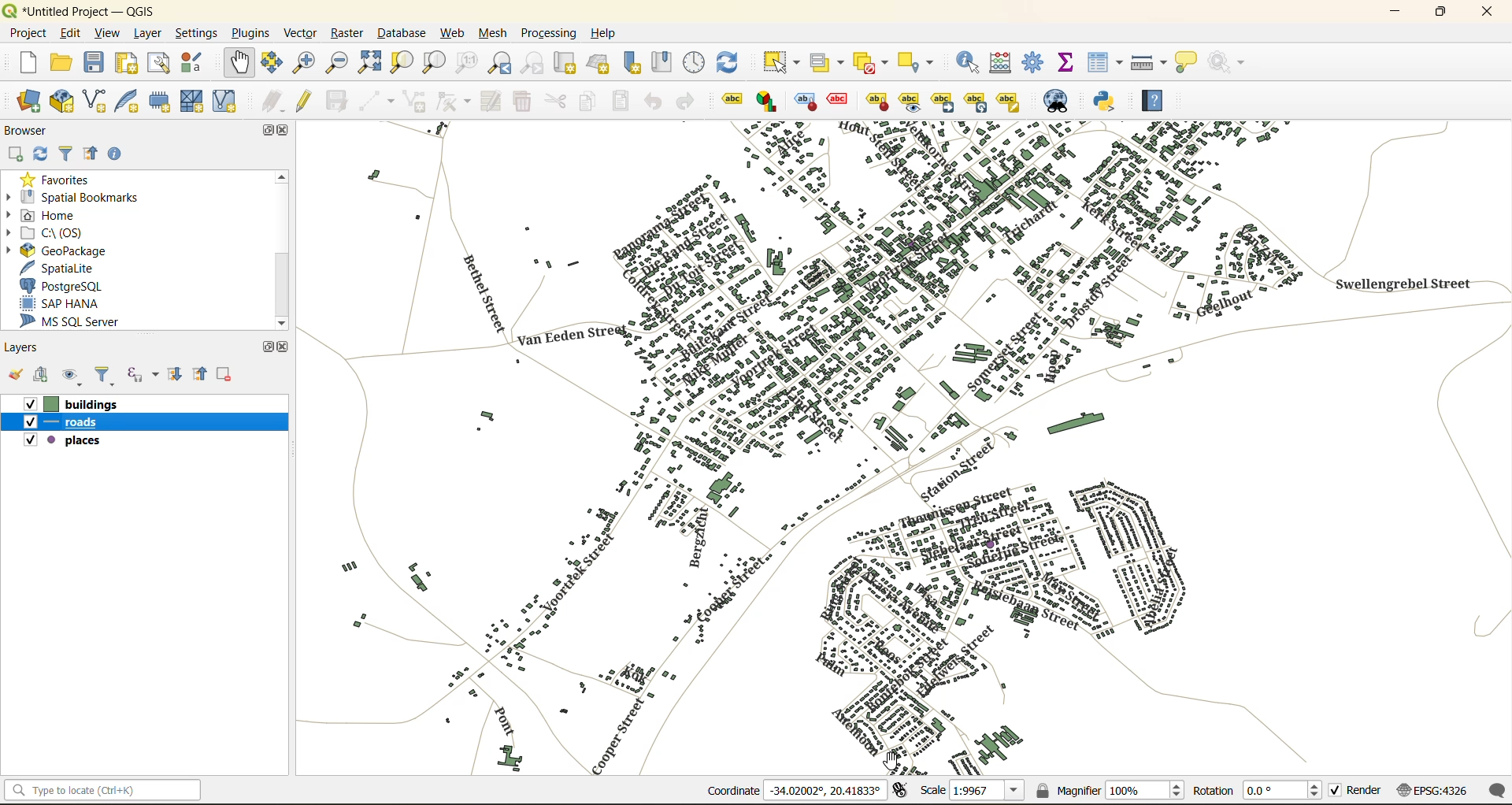 This screenshot has width=1512, height=805. Describe the element at coordinates (698, 65) in the screenshot. I see `control panel` at that location.